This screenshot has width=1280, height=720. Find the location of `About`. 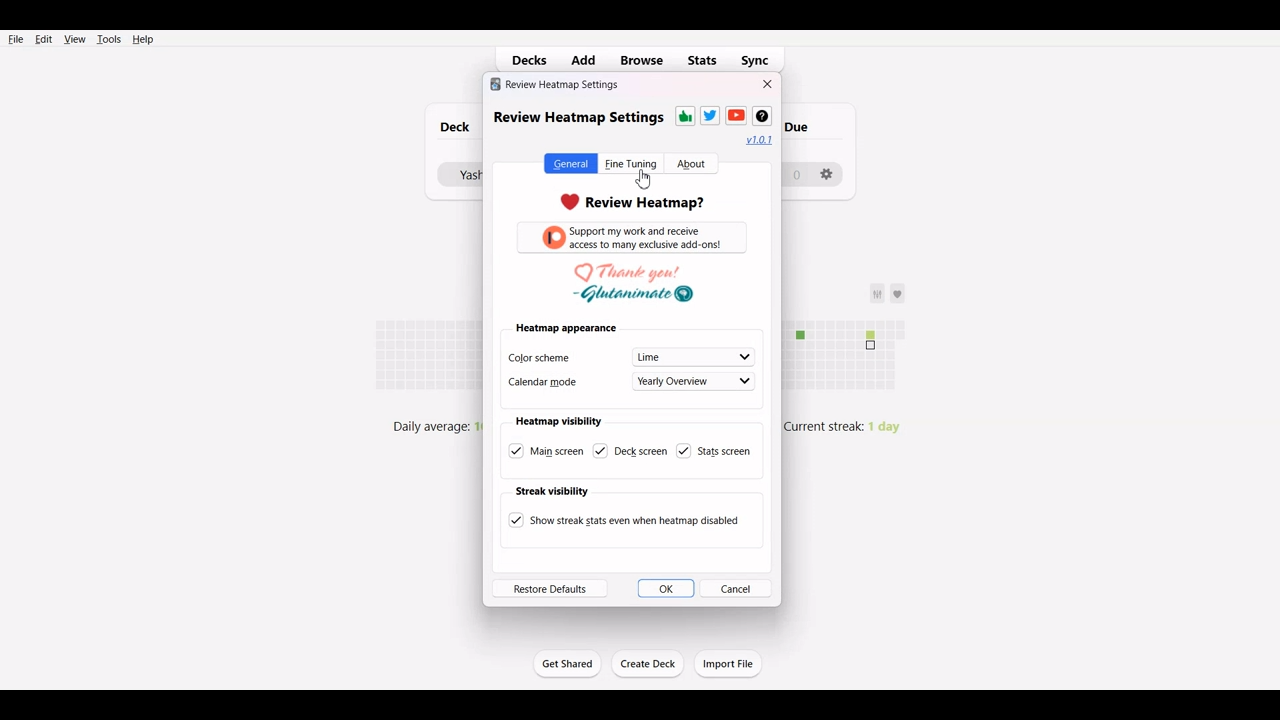

About is located at coordinates (691, 164).